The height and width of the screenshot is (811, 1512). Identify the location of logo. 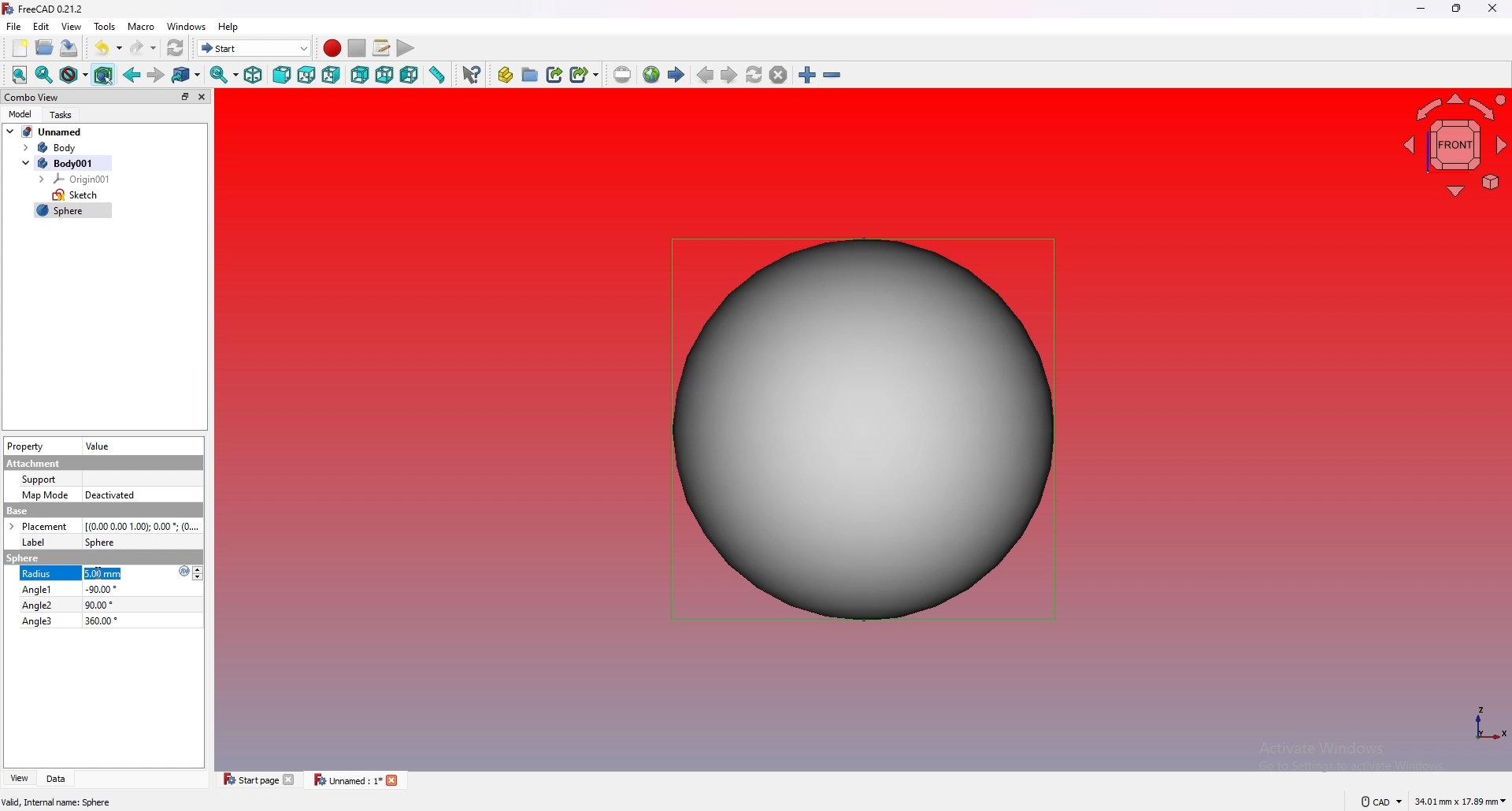
(180, 572).